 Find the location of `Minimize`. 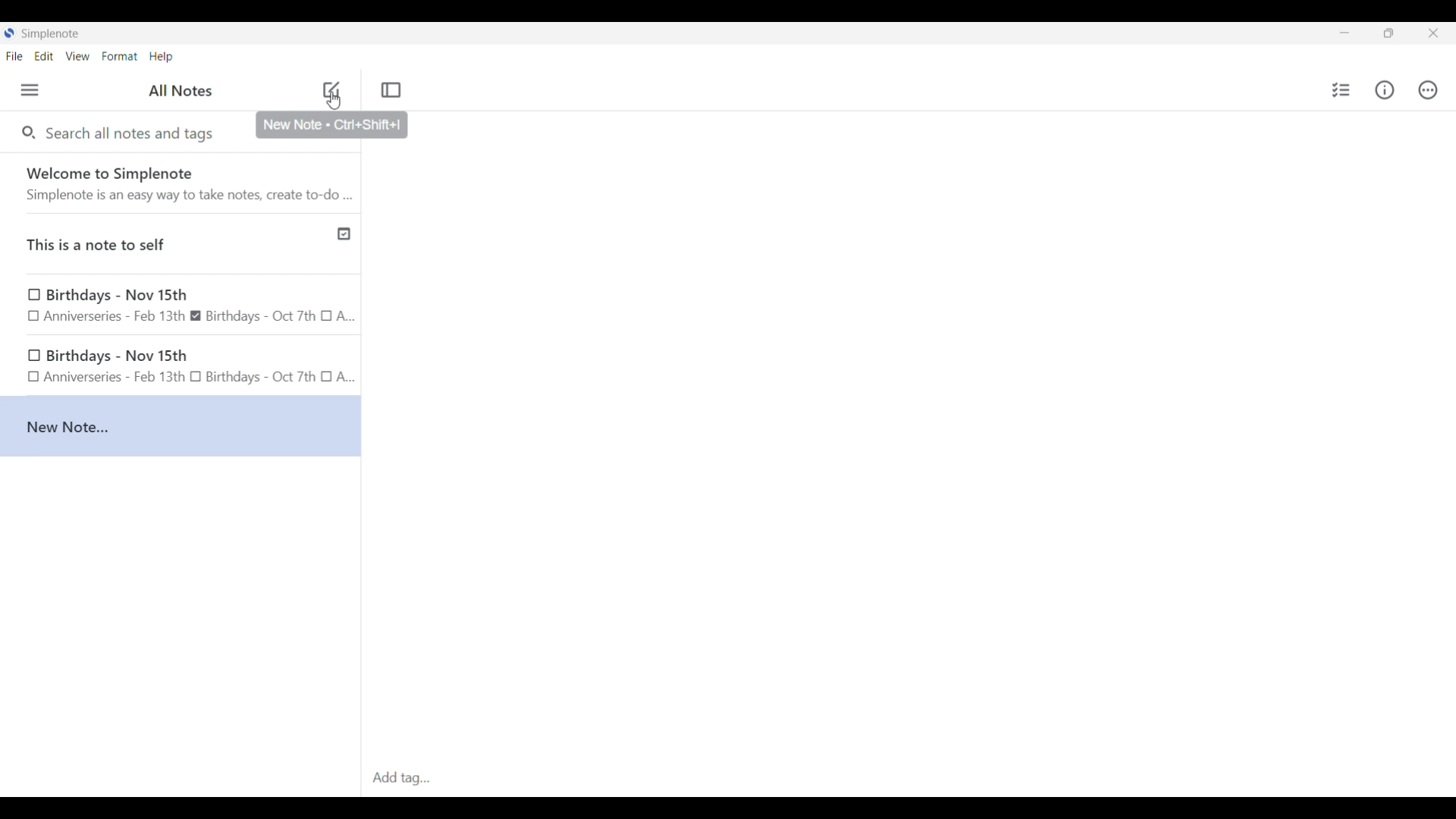

Minimize is located at coordinates (1345, 33).